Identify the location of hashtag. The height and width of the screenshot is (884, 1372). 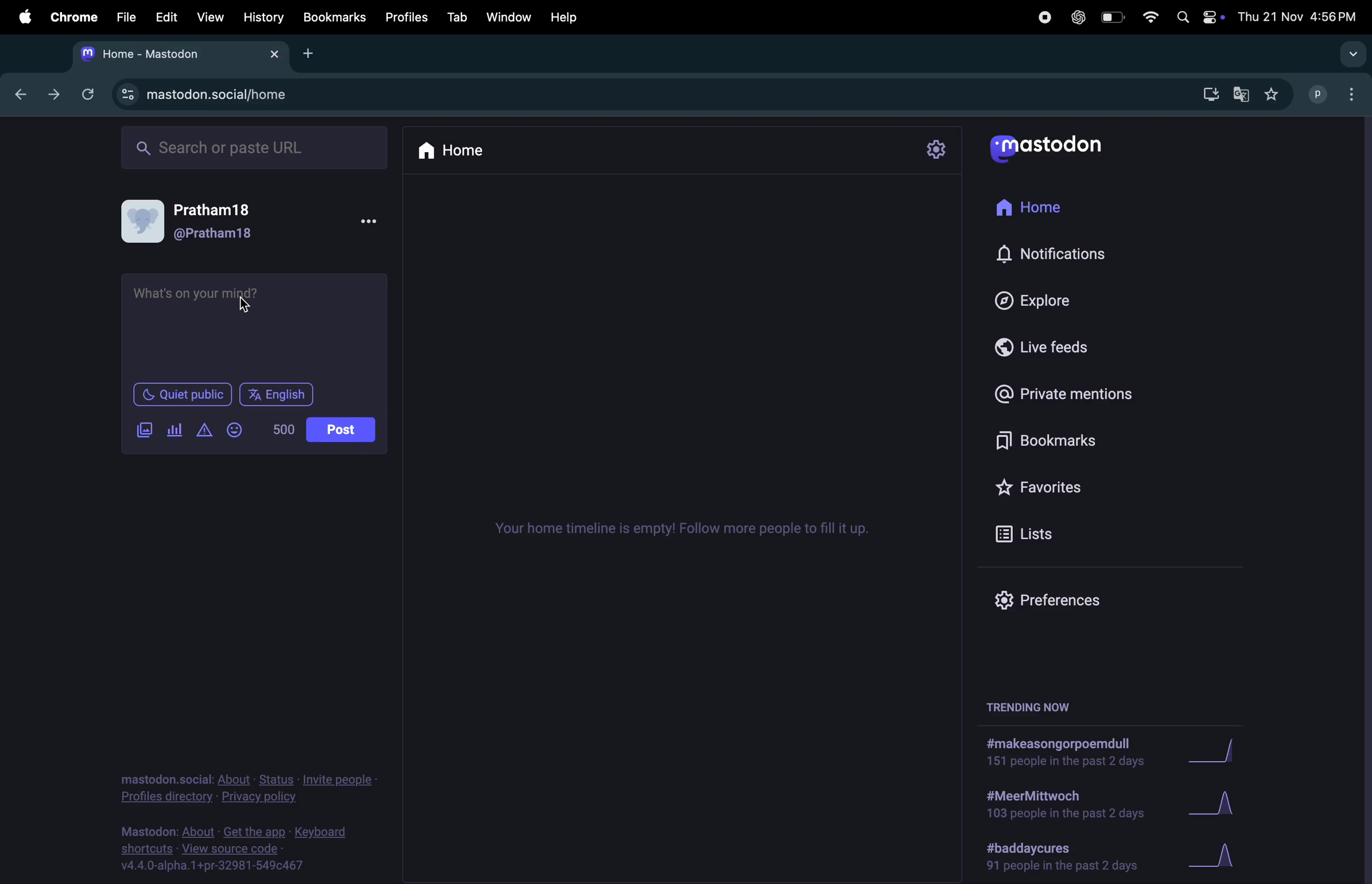
(1057, 807).